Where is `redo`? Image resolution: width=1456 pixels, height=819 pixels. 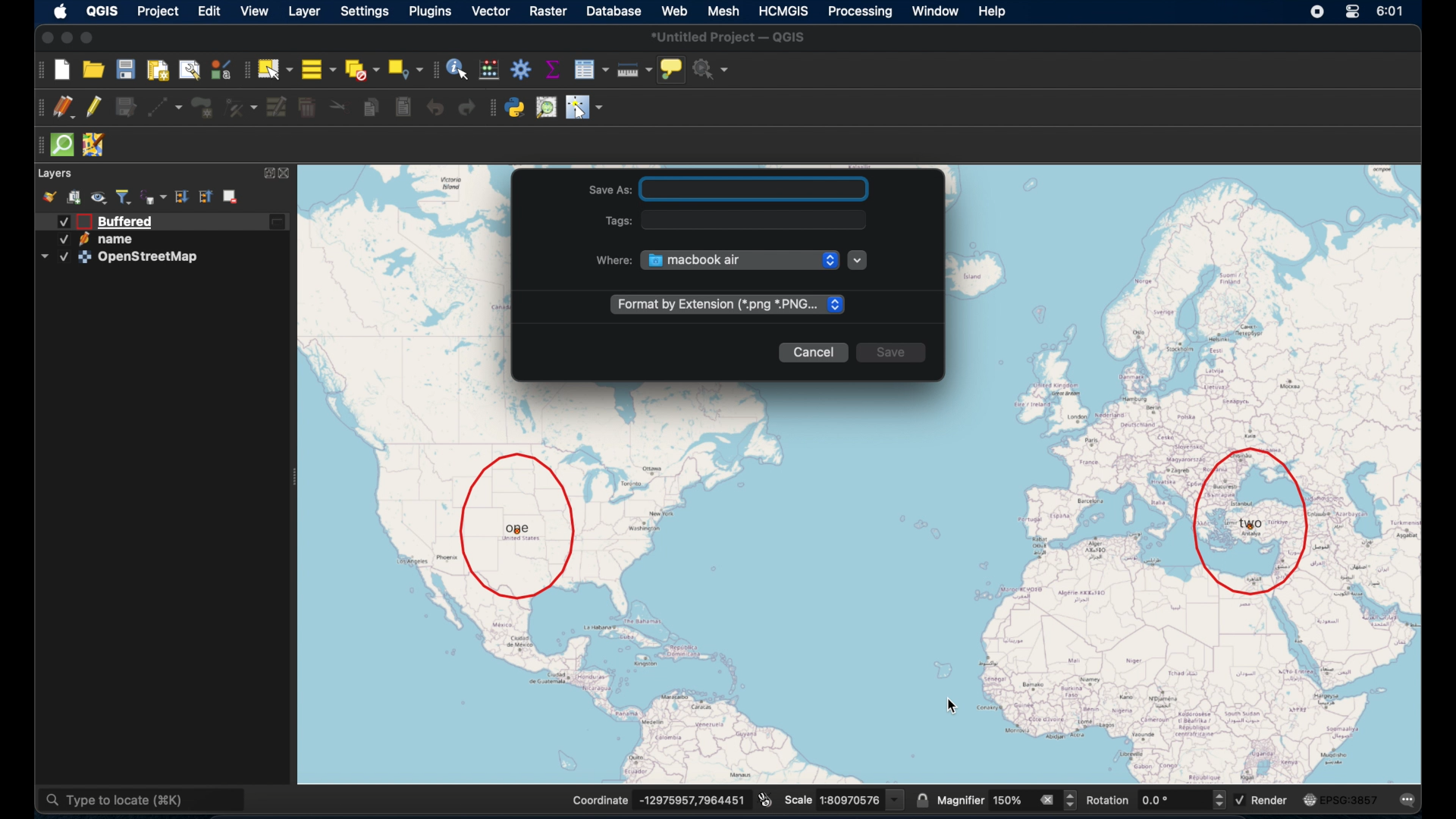 redo is located at coordinates (466, 108).